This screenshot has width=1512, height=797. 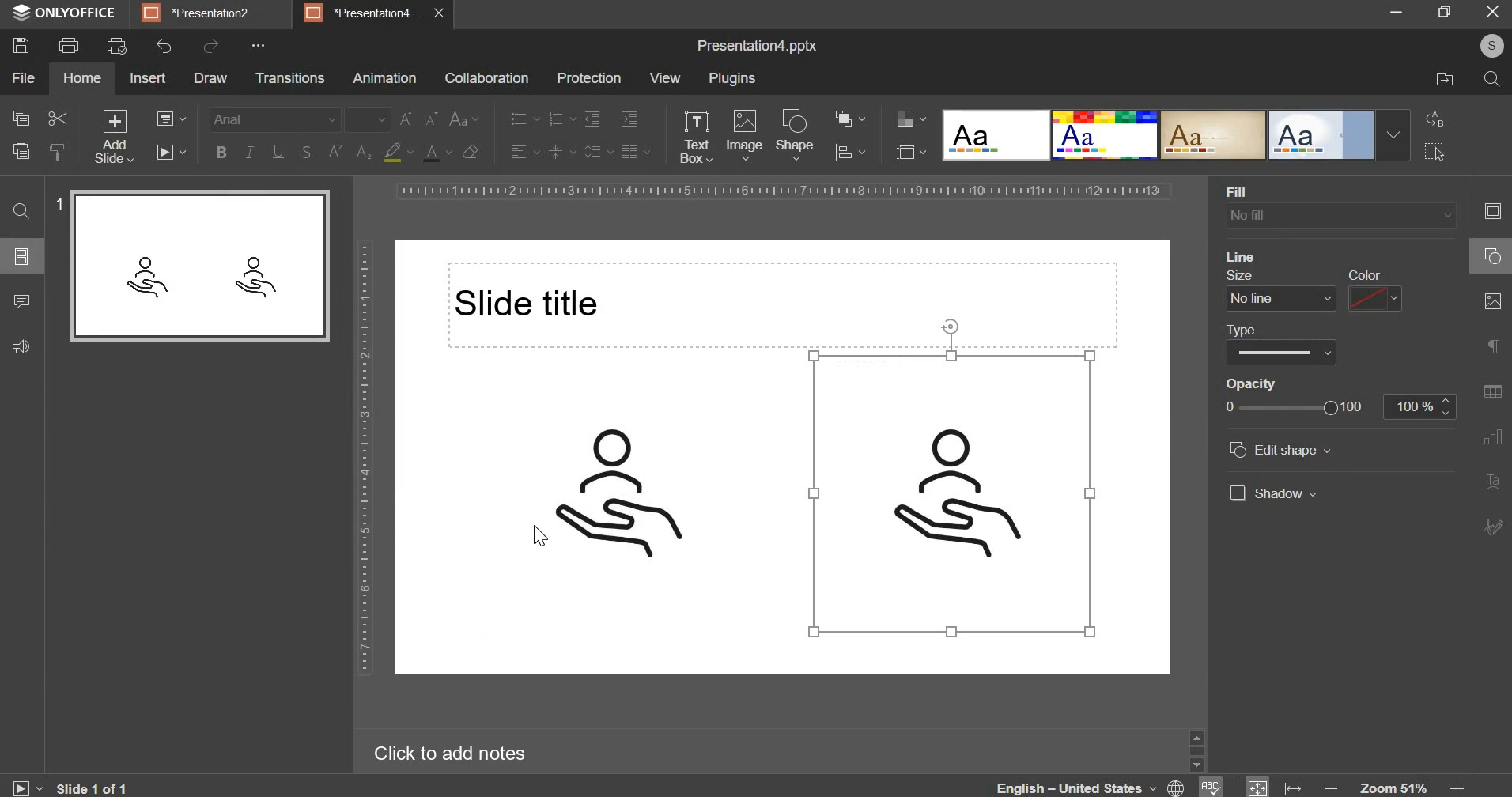 I want to click on line color, so click(x=1373, y=298).